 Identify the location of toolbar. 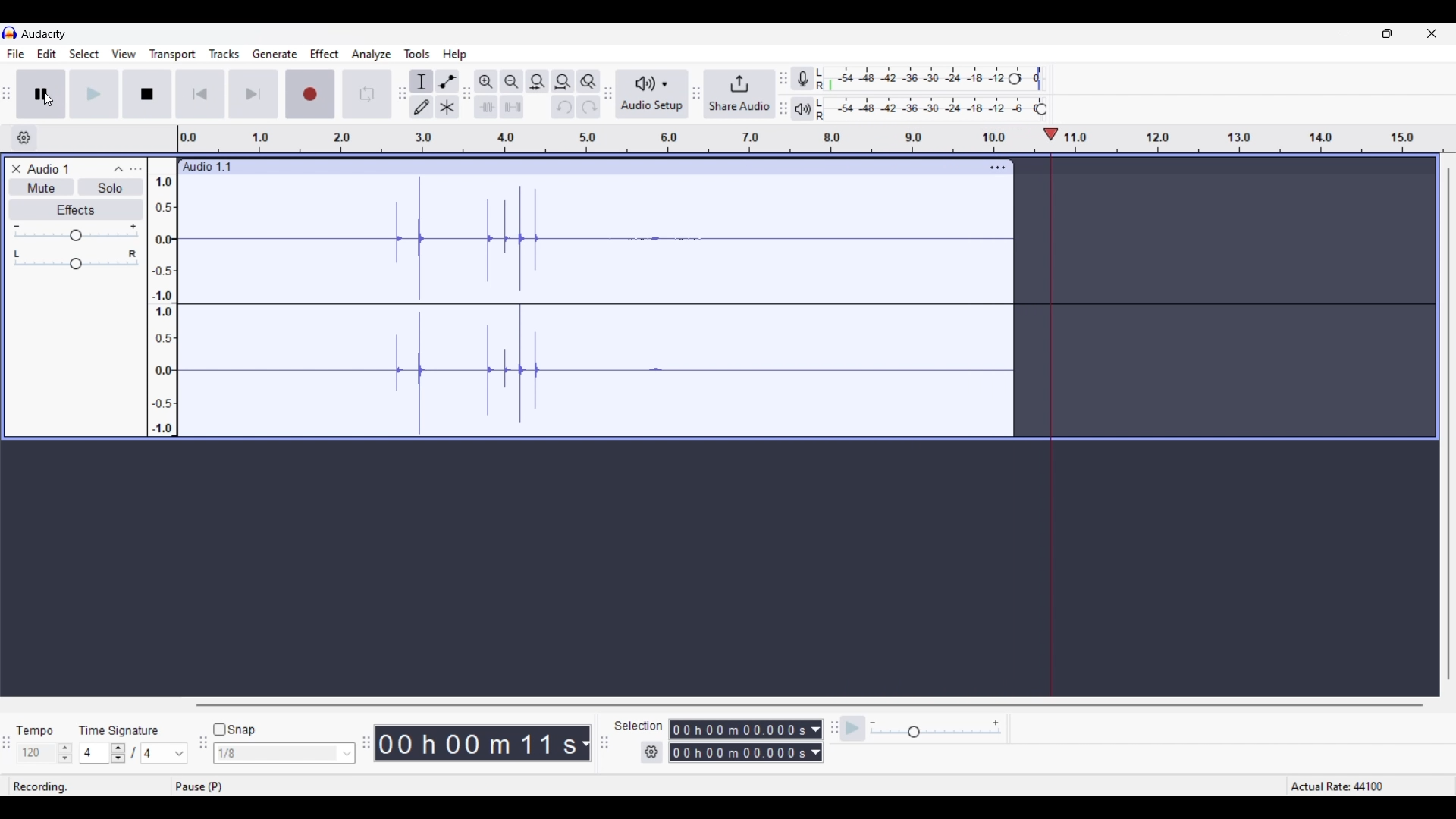
(607, 745).